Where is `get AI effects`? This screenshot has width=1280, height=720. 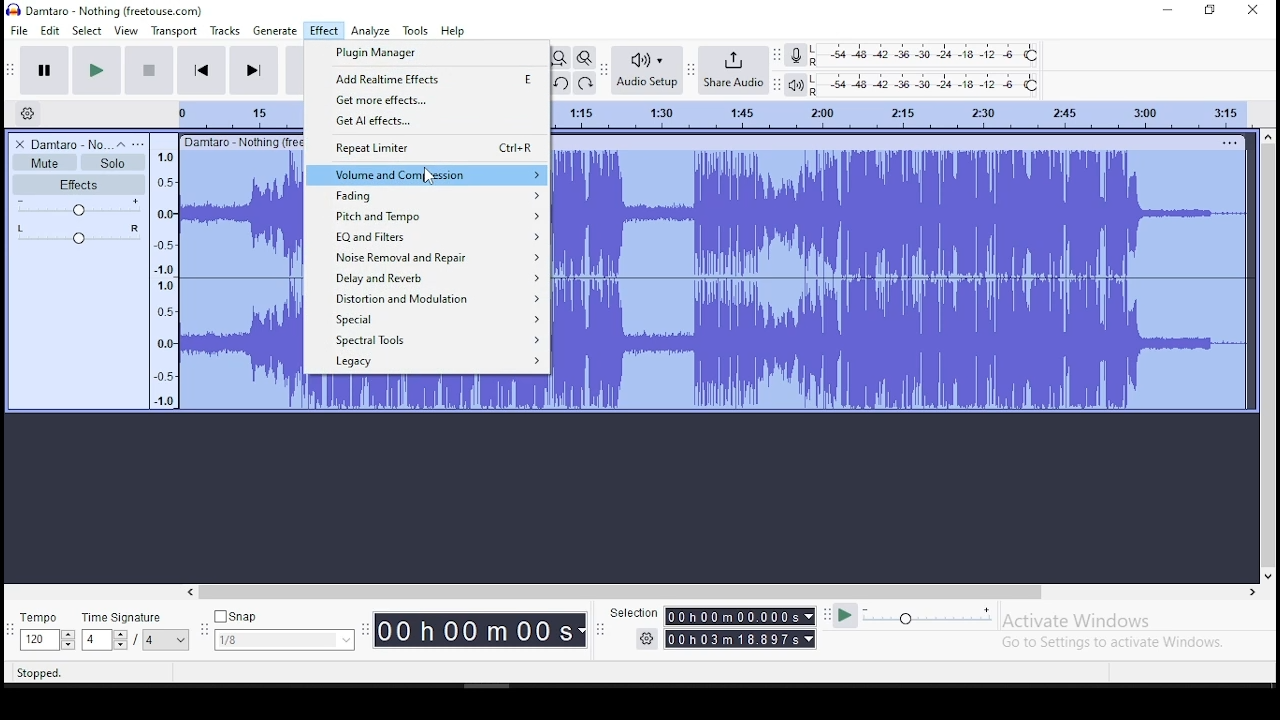 get AI effects is located at coordinates (430, 121).